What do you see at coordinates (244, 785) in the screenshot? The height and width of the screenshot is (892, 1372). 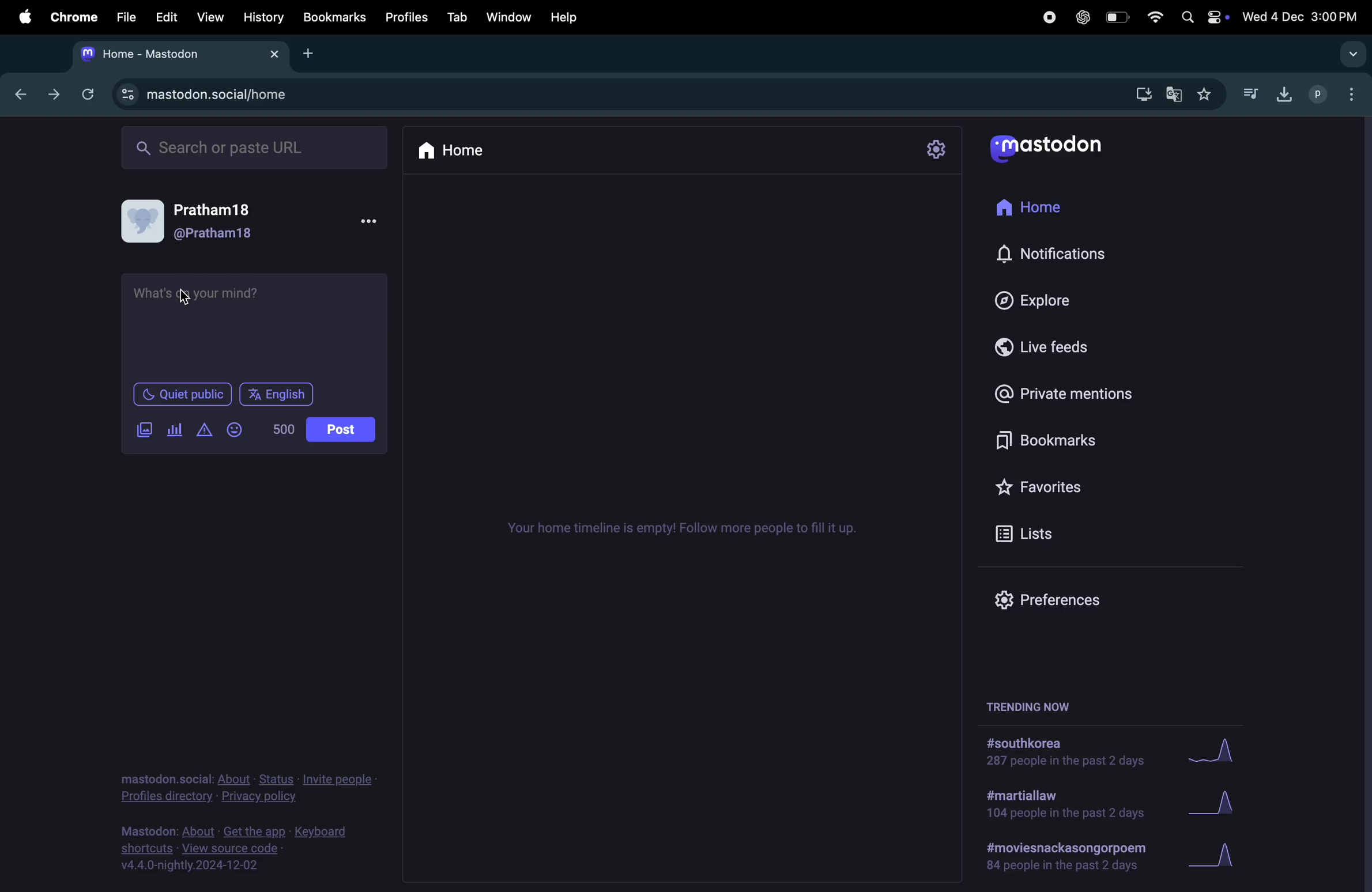 I see `privacy and policy` at bounding box center [244, 785].